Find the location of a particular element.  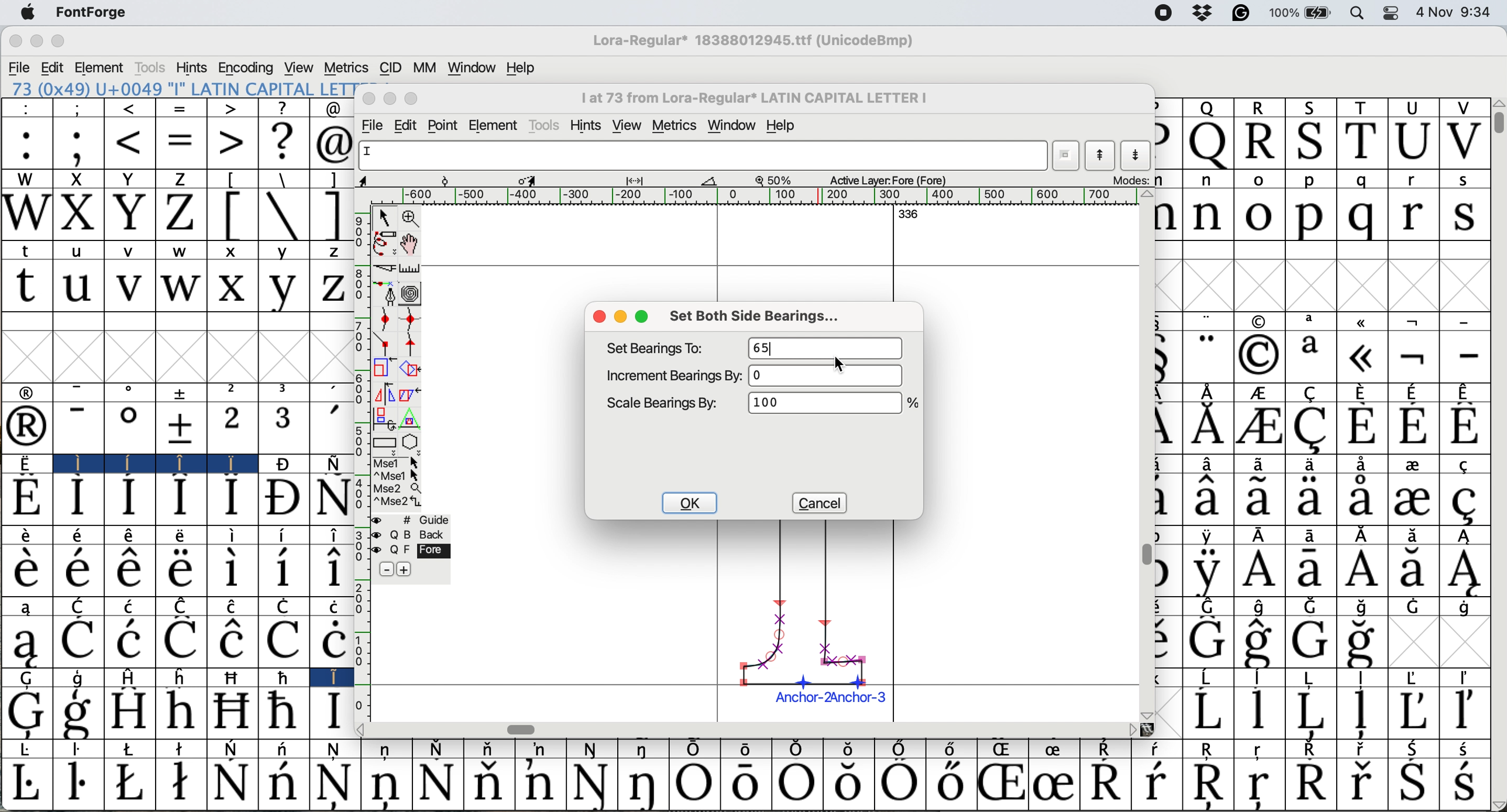

Symbol is located at coordinates (438, 784).